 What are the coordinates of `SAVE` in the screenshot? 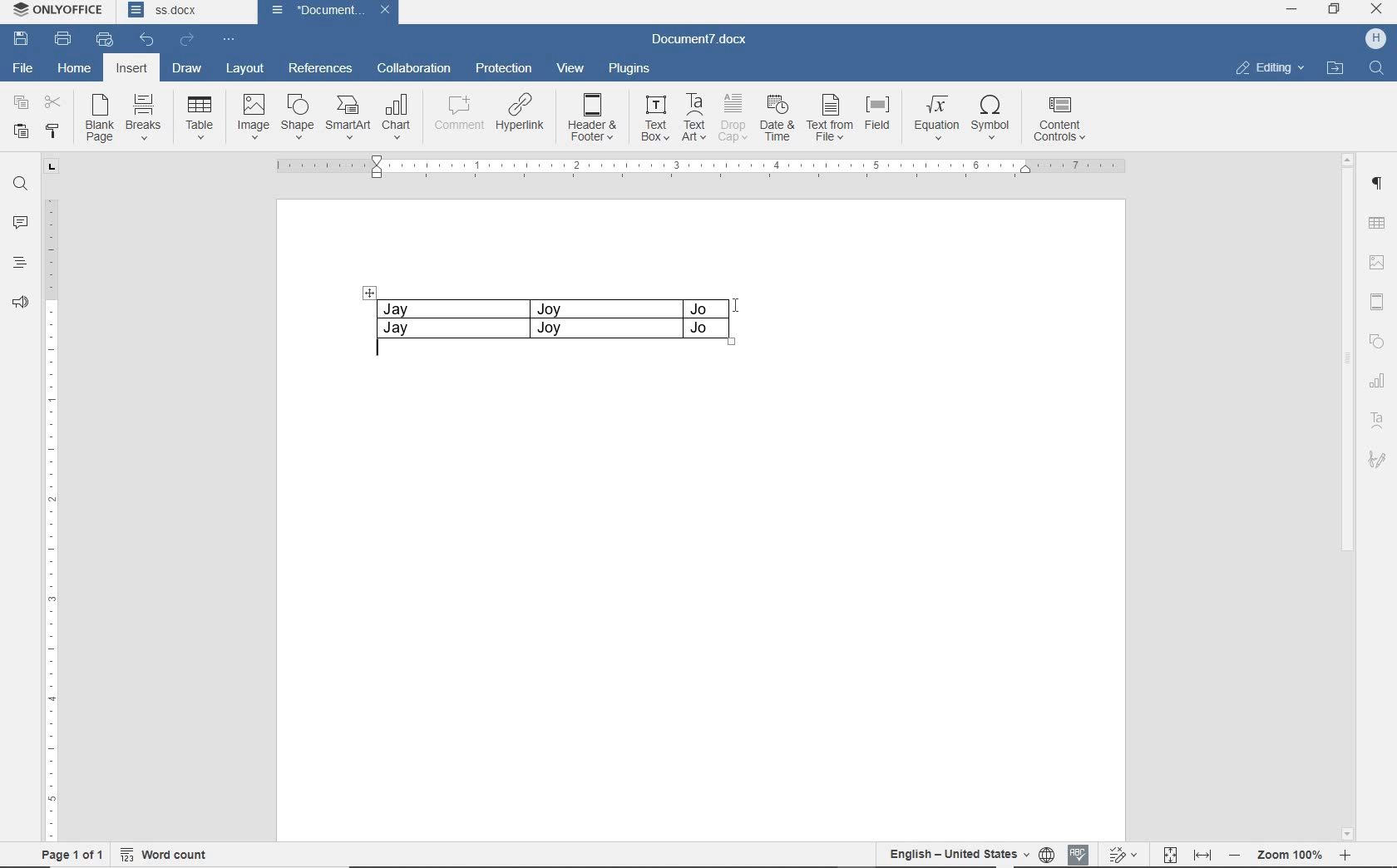 It's located at (22, 39).